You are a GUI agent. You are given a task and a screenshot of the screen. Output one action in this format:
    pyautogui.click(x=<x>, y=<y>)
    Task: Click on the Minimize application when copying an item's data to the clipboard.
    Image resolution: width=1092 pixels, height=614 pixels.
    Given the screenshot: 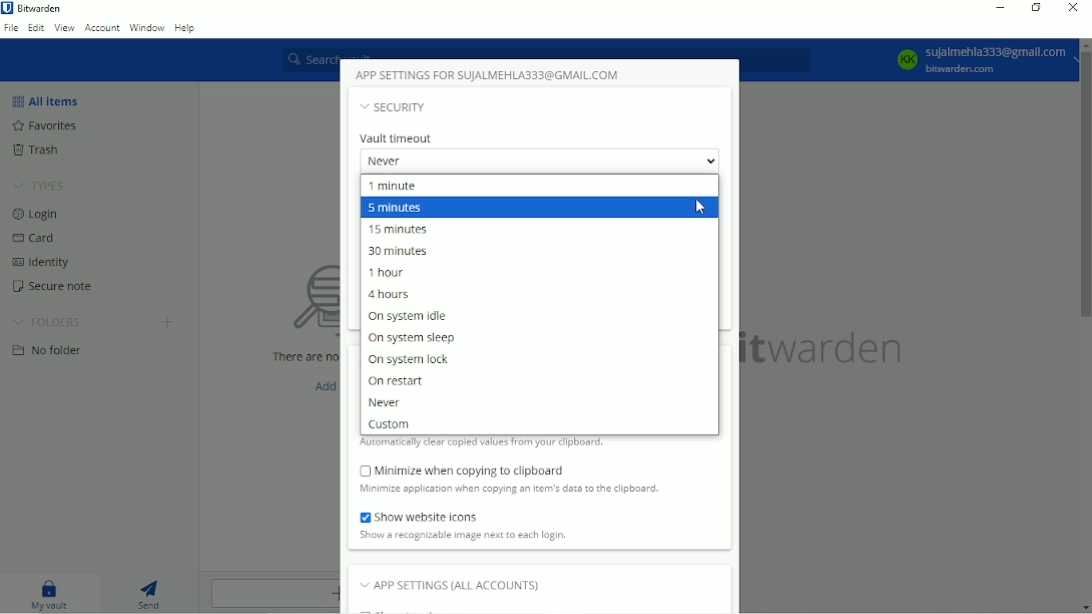 What is the action you would take?
    pyautogui.click(x=518, y=489)
    